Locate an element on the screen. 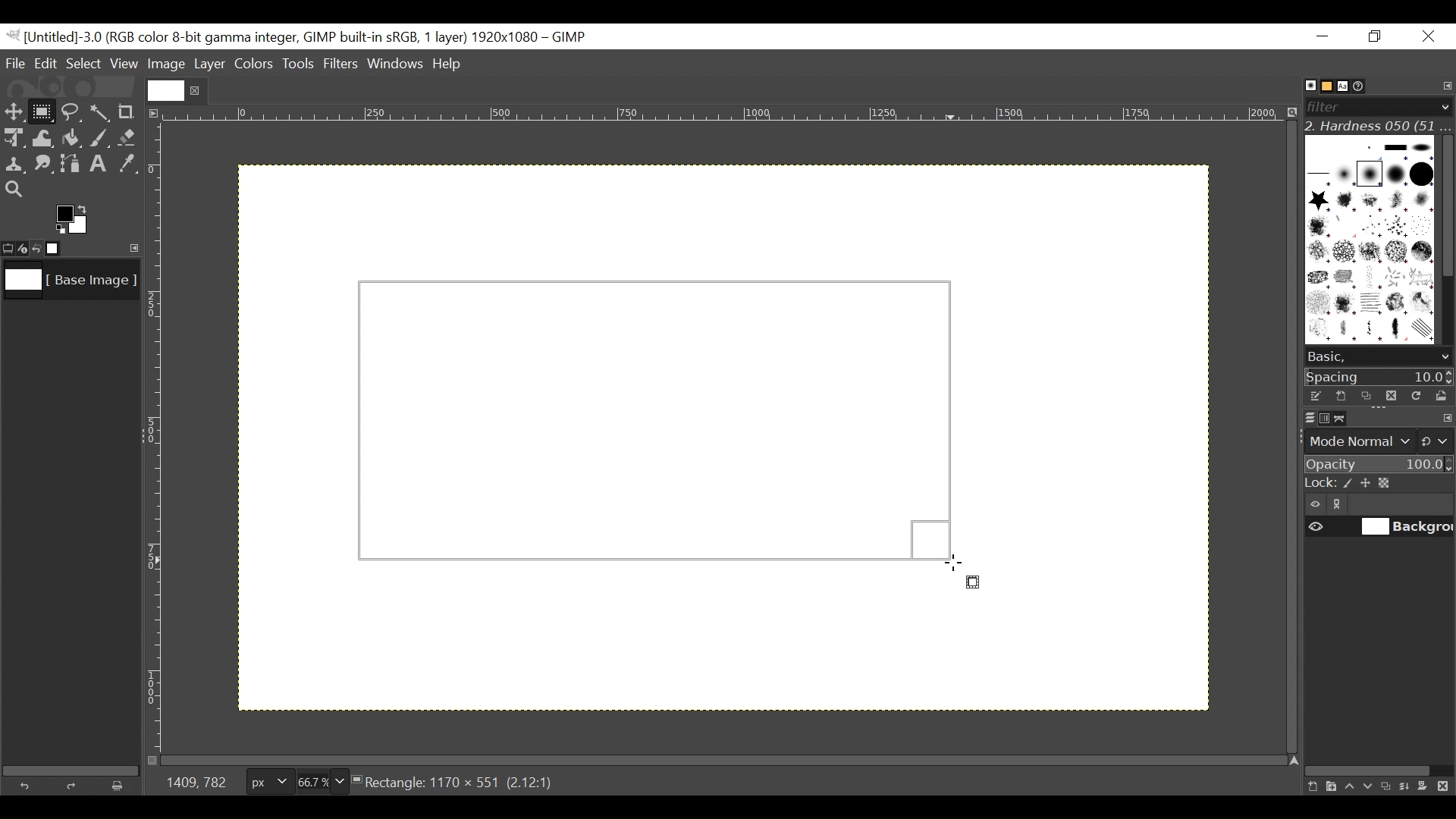 The width and height of the screenshot is (1456, 819). Select is located at coordinates (84, 63).